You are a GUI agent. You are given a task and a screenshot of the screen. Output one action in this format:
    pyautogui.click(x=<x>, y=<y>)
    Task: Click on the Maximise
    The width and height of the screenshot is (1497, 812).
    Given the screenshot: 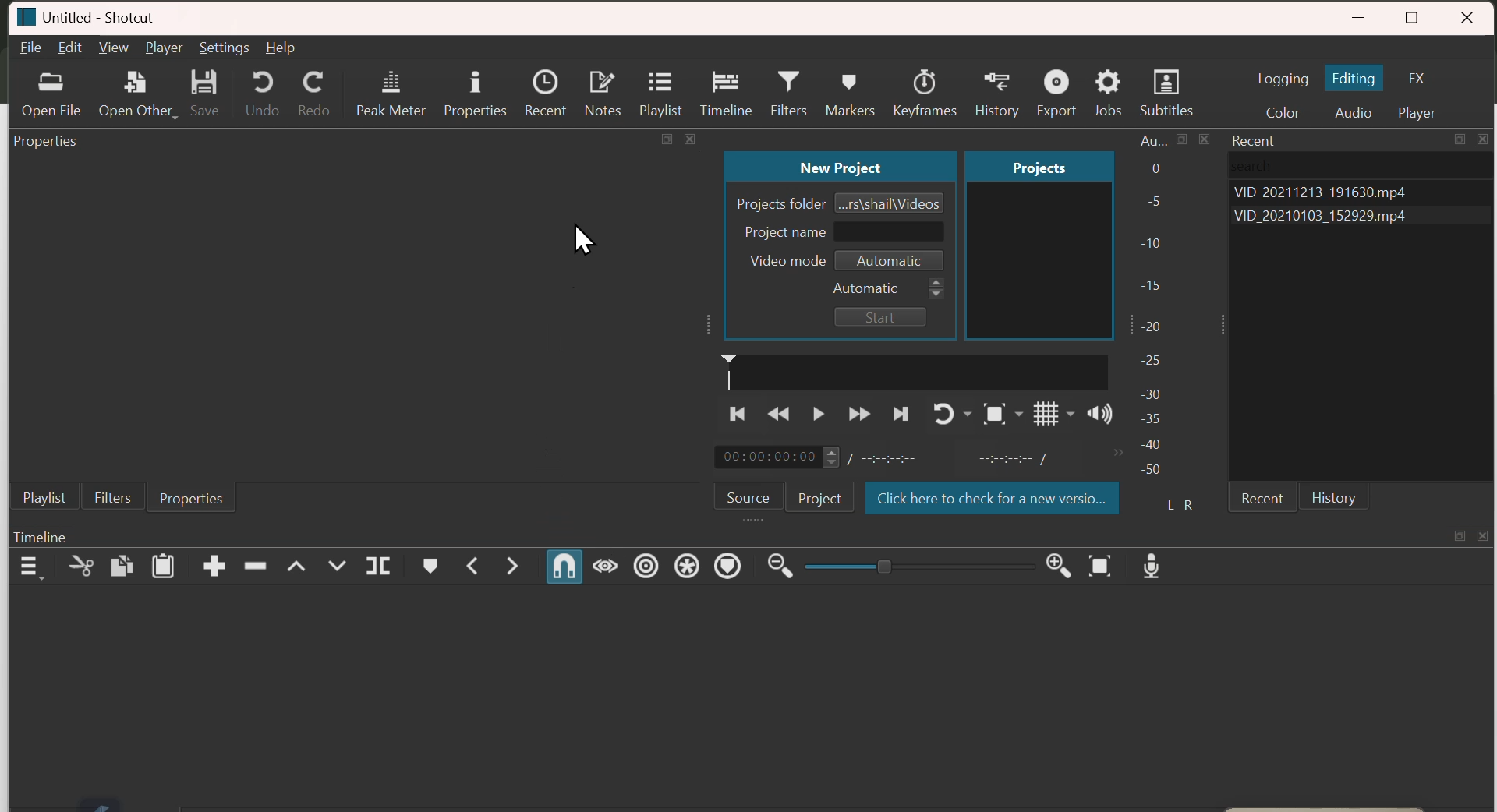 What is the action you would take?
    pyautogui.click(x=1414, y=14)
    